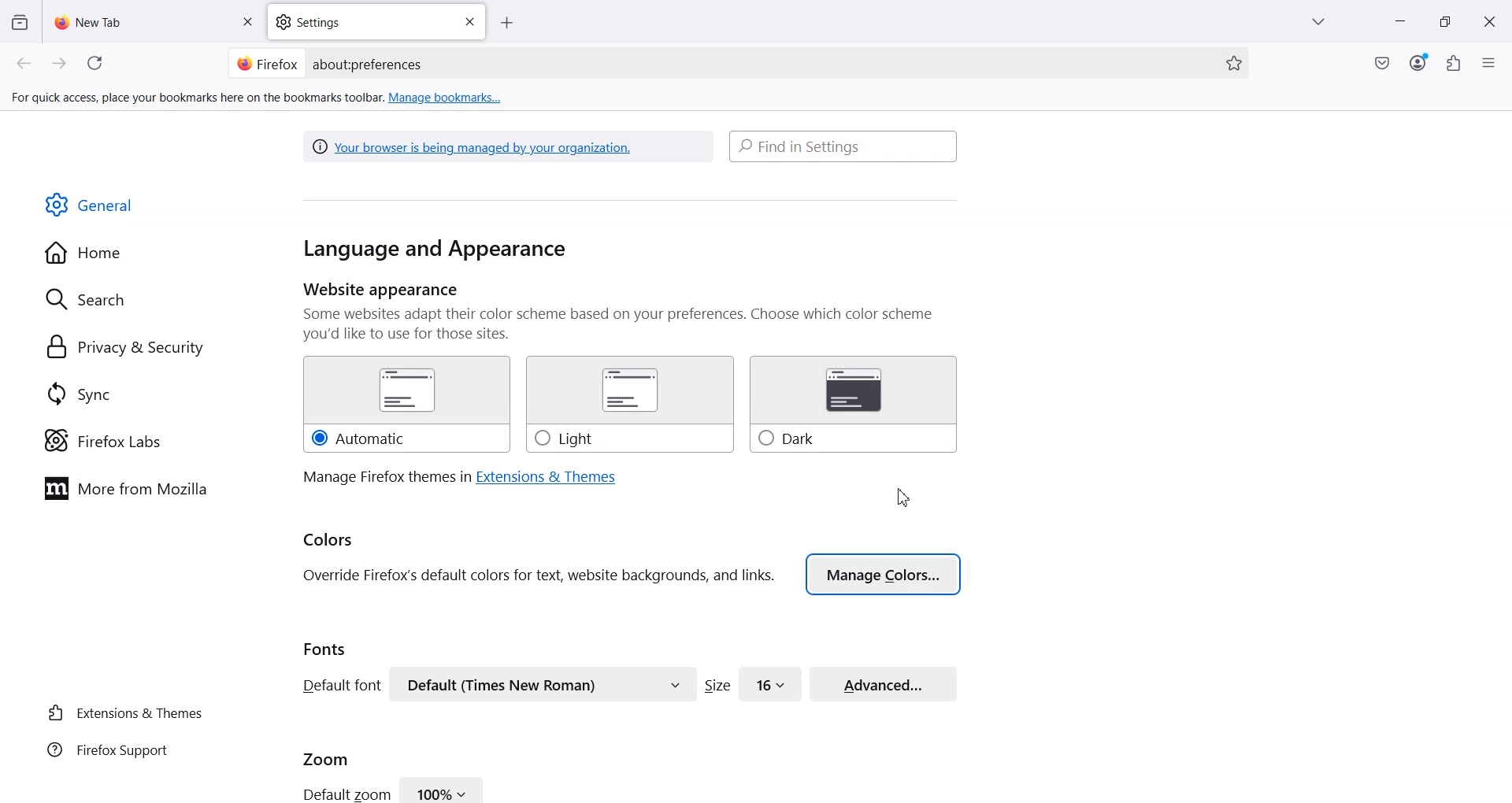  Describe the element at coordinates (339, 685) in the screenshot. I see `Default font` at that location.